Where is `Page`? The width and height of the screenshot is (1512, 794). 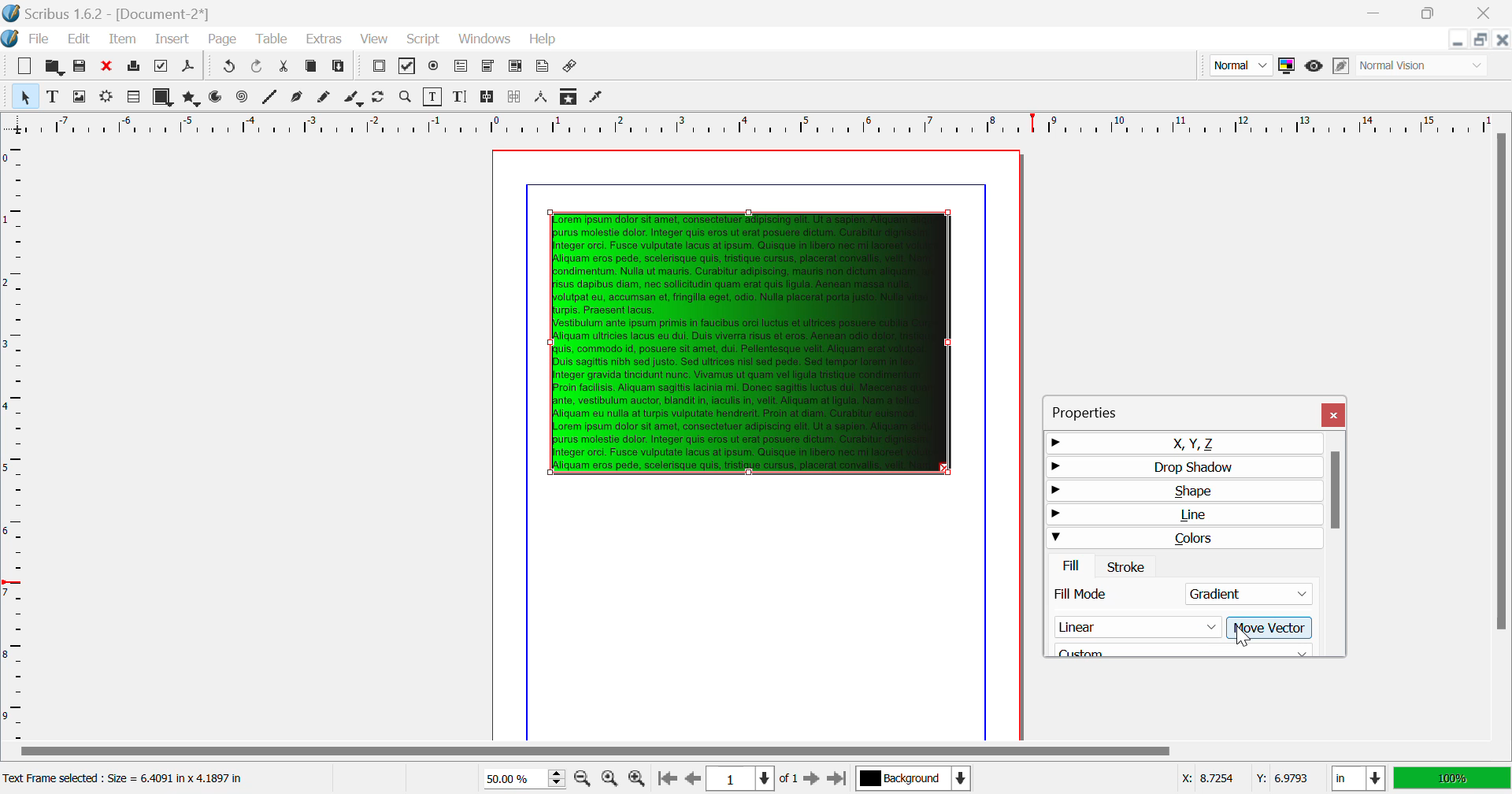 Page is located at coordinates (221, 40).